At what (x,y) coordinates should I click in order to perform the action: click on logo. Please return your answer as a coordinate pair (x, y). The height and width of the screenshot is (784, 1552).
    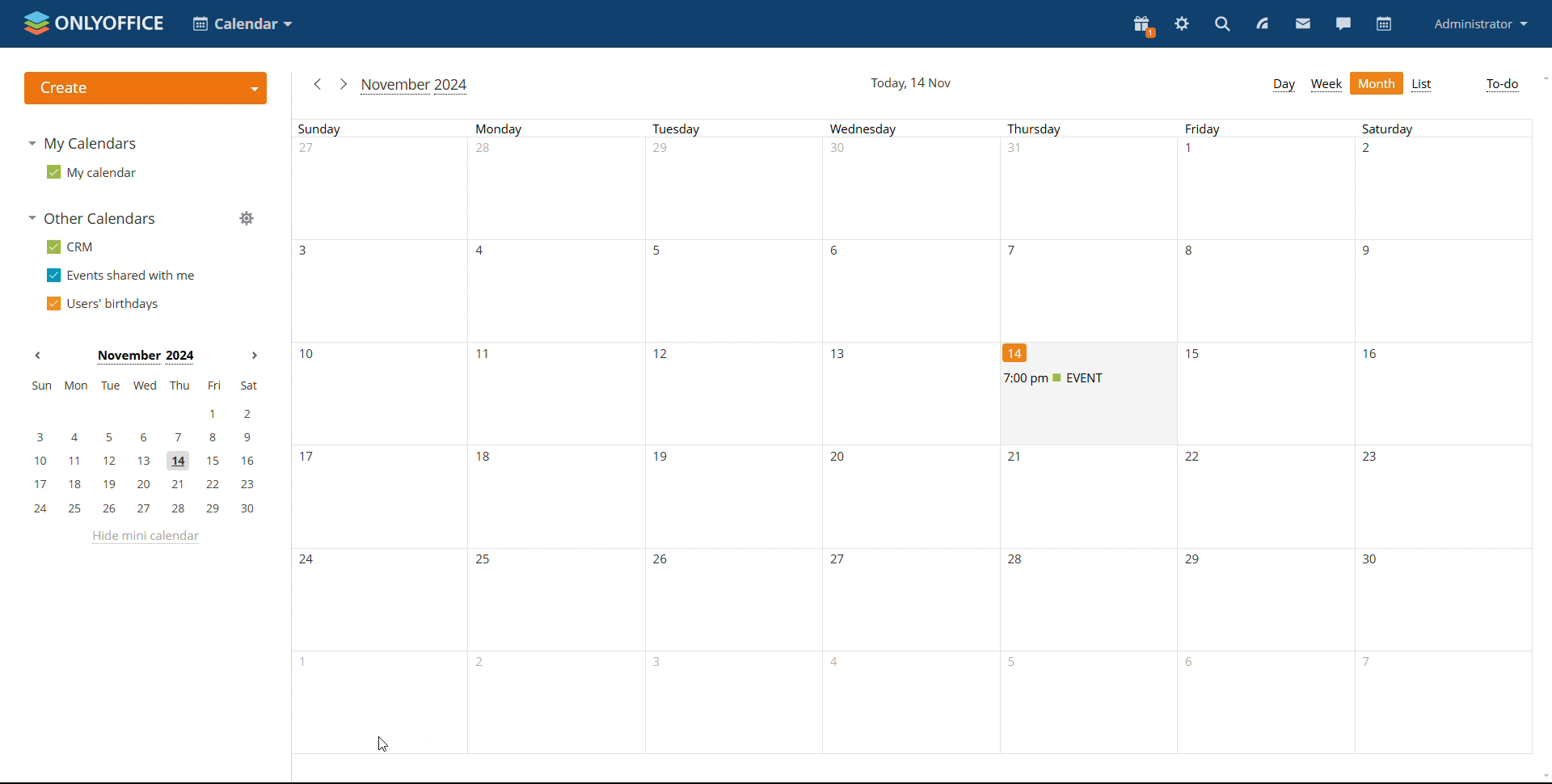
    Looking at the image, I should click on (92, 23).